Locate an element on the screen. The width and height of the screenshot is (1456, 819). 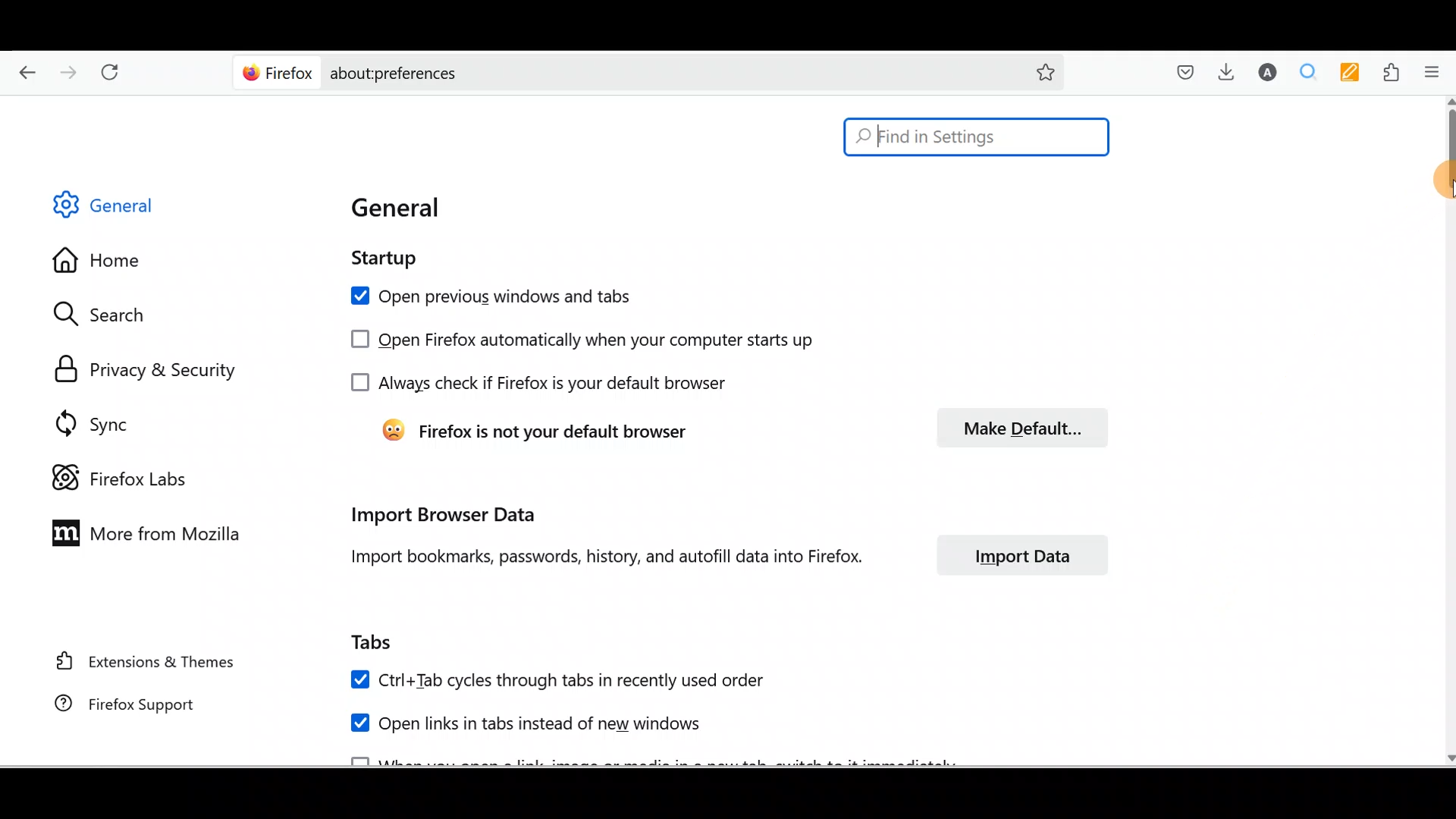
Open application menu is located at coordinates (1437, 71).